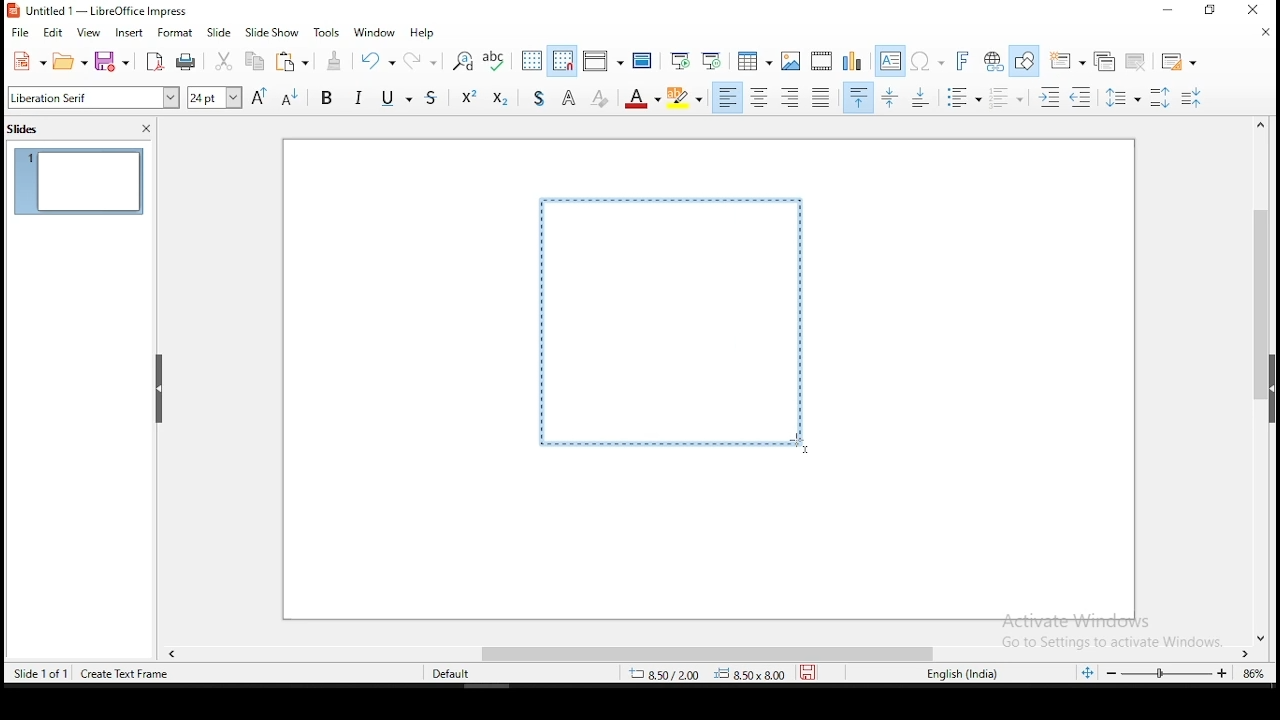 Image resolution: width=1280 pixels, height=720 pixels. Describe the element at coordinates (892, 99) in the screenshot. I see `center vertical` at that location.